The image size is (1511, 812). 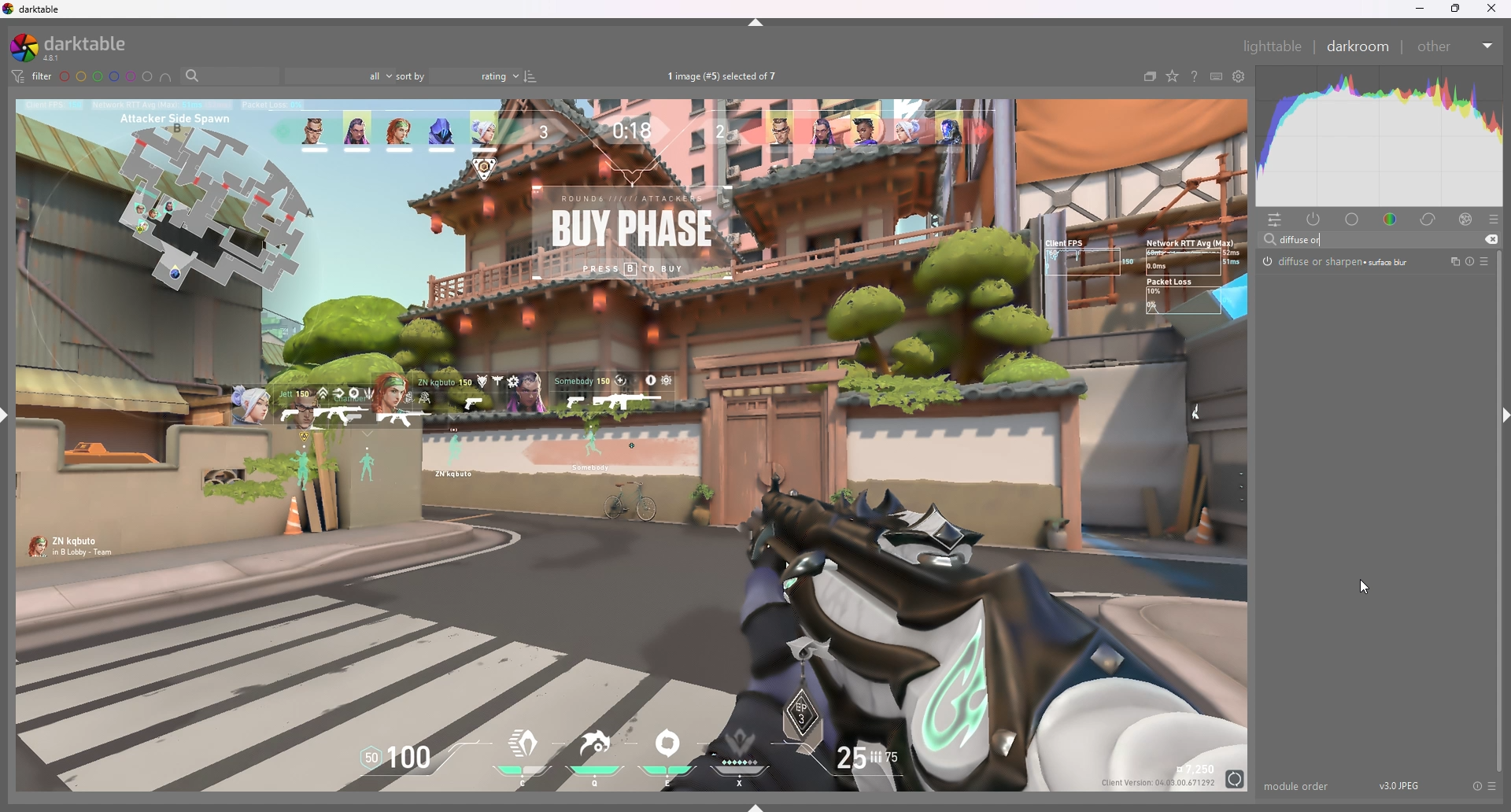 What do you see at coordinates (530, 76) in the screenshot?
I see `reverse sort order` at bounding box center [530, 76].